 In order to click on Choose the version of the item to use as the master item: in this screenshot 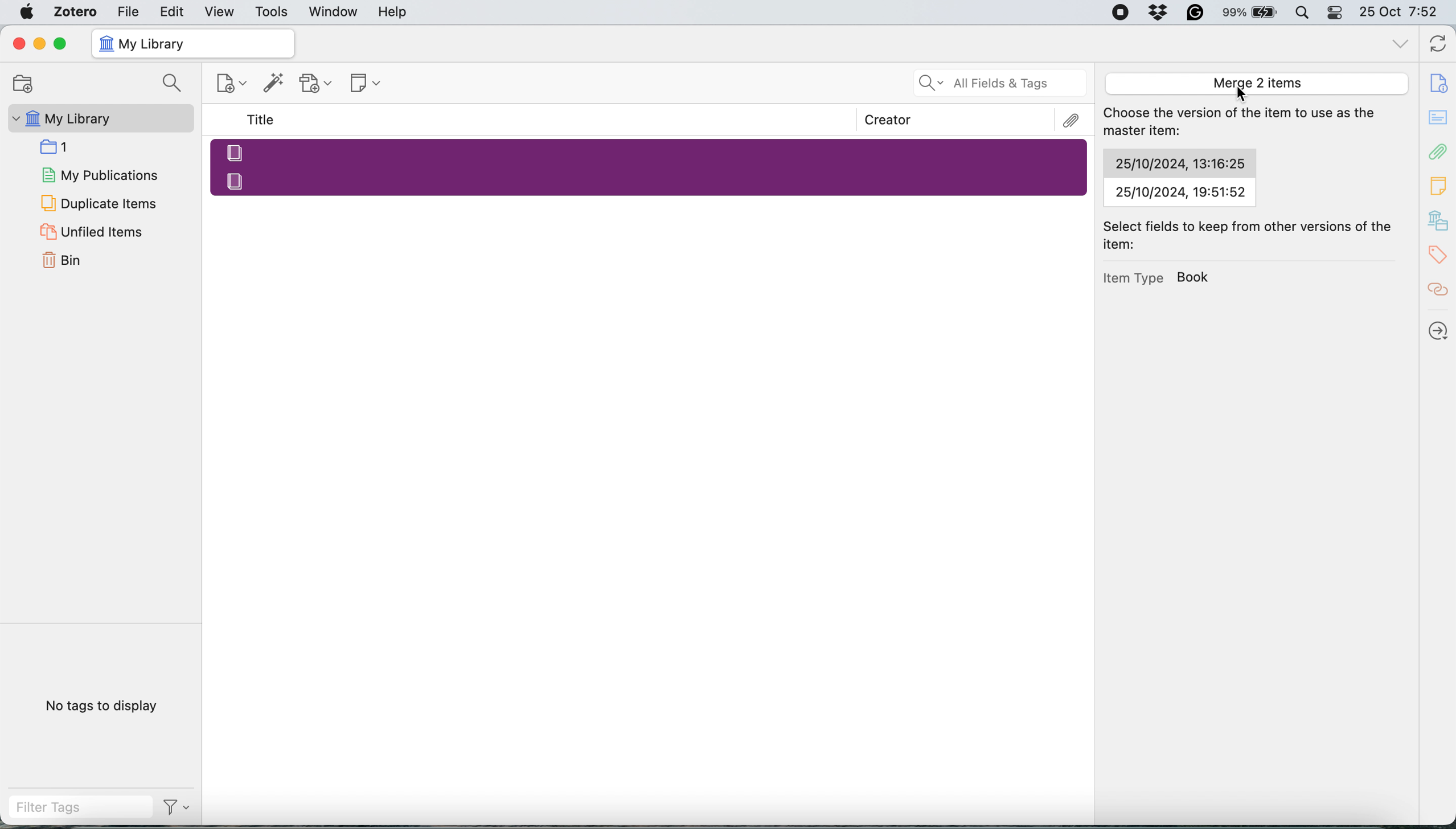, I will do `click(1245, 123)`.